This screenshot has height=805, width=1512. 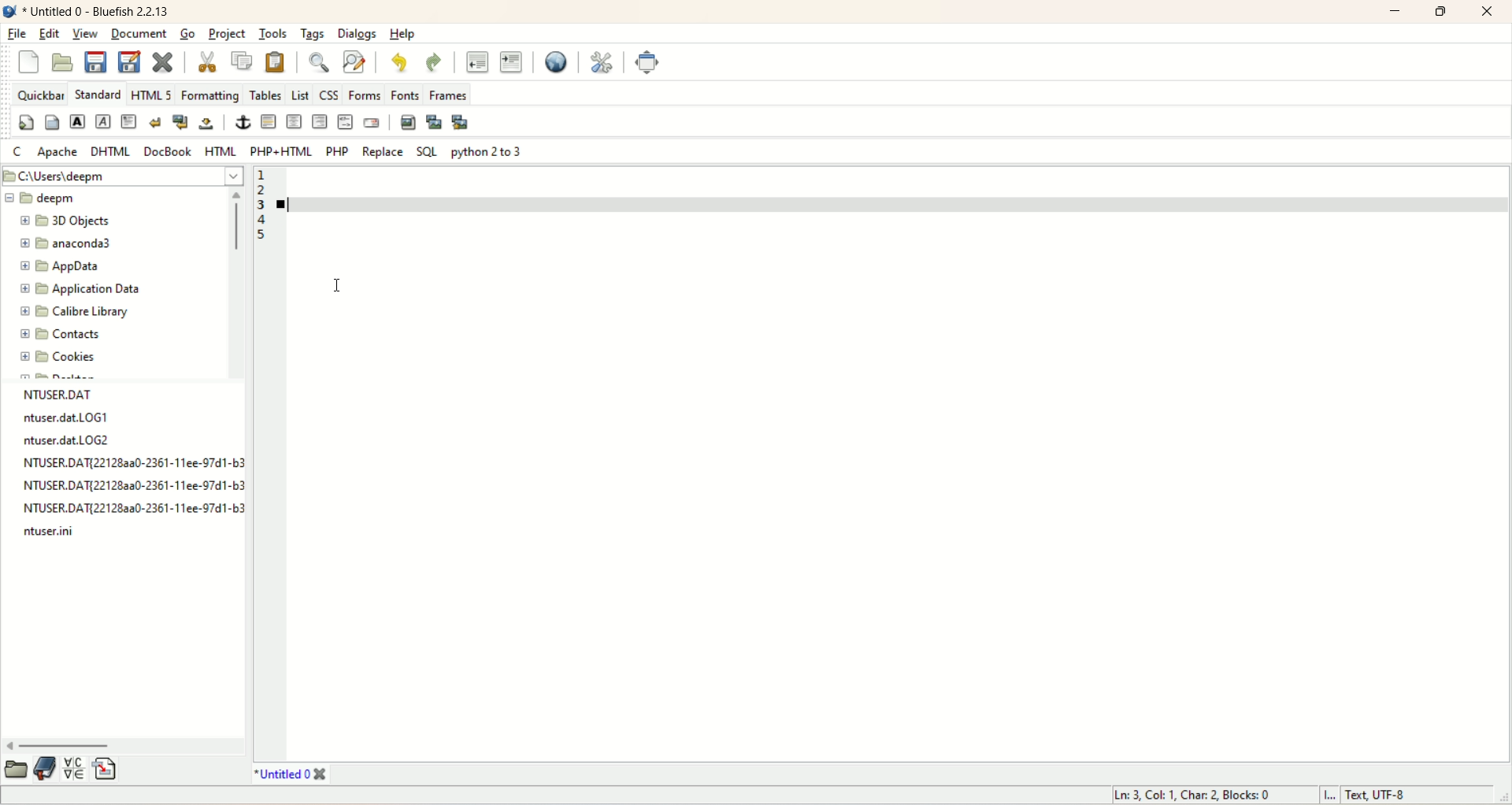 I want to click on file name, so click(x=132, y=510).